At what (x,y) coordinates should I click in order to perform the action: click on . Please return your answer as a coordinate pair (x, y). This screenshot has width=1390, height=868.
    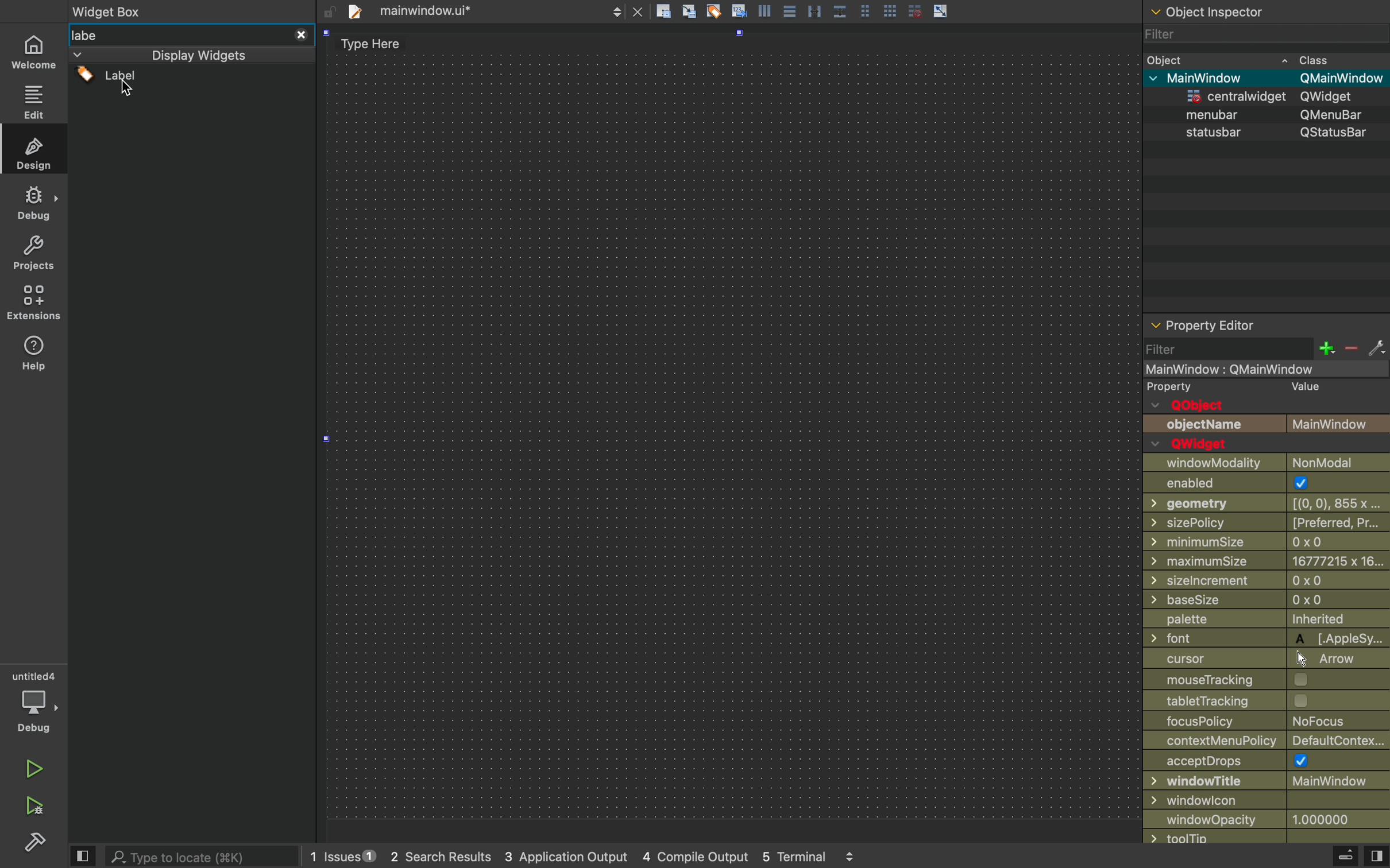
    Looking at the image, I should click on (87, 855).